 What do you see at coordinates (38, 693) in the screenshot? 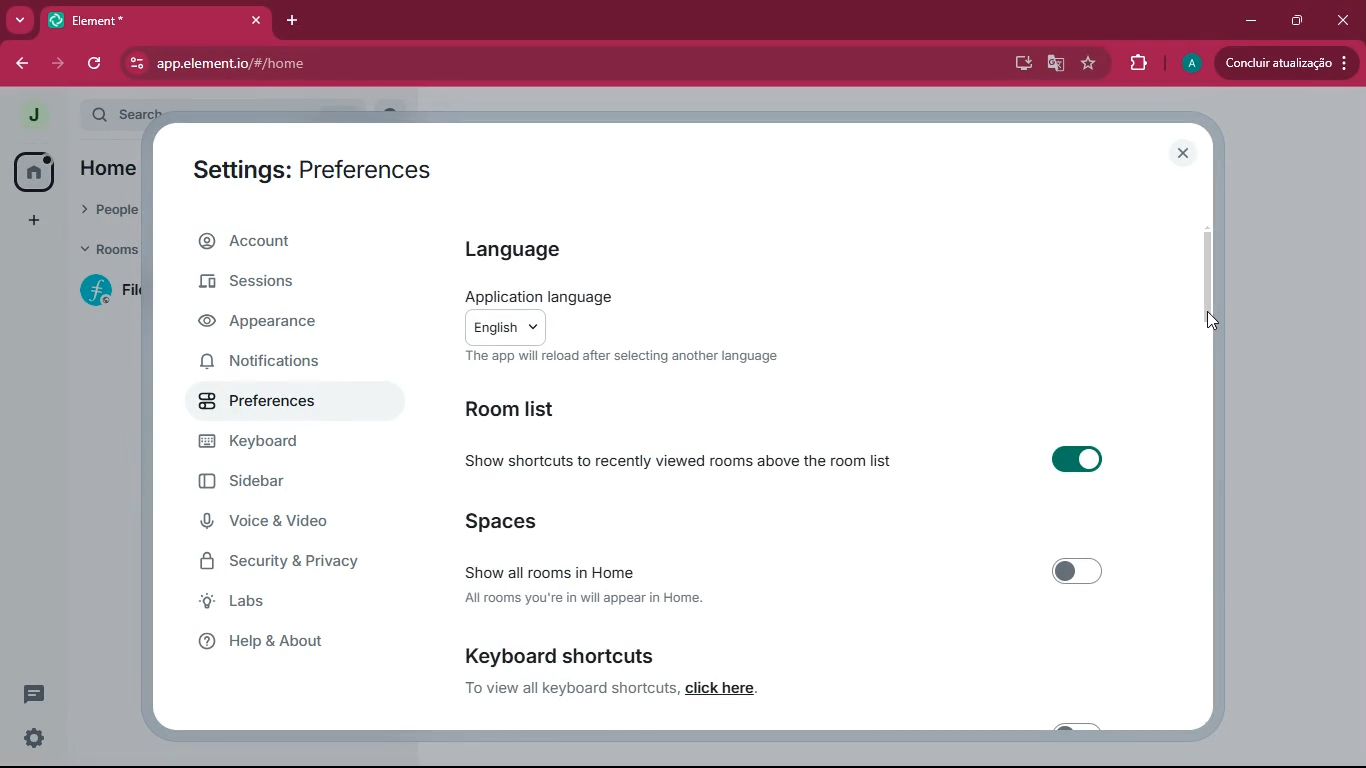
I see `conversation` at bounding box center [38, 693].